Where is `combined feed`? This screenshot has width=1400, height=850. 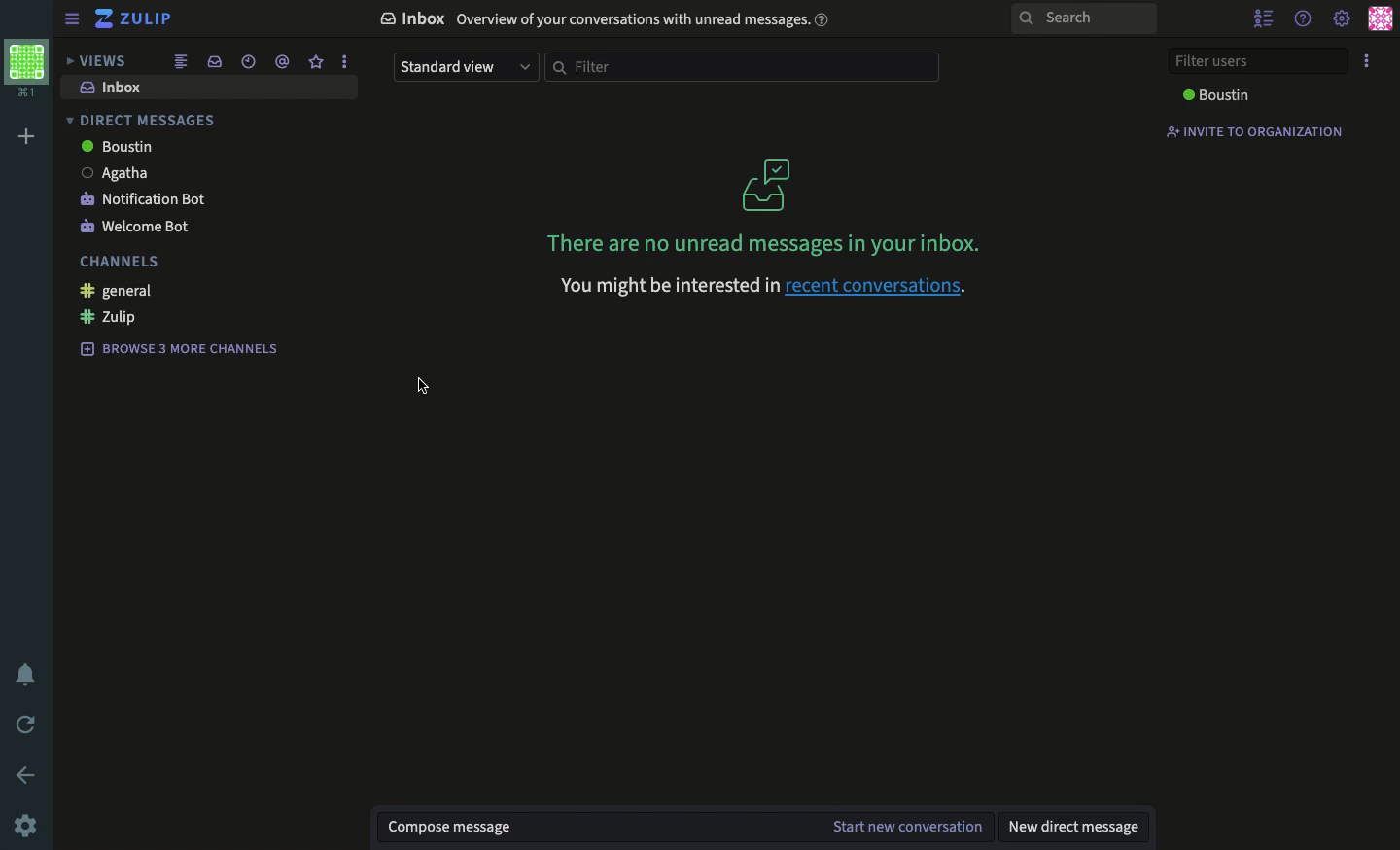
combined feed is located at coordinates (182, 61).